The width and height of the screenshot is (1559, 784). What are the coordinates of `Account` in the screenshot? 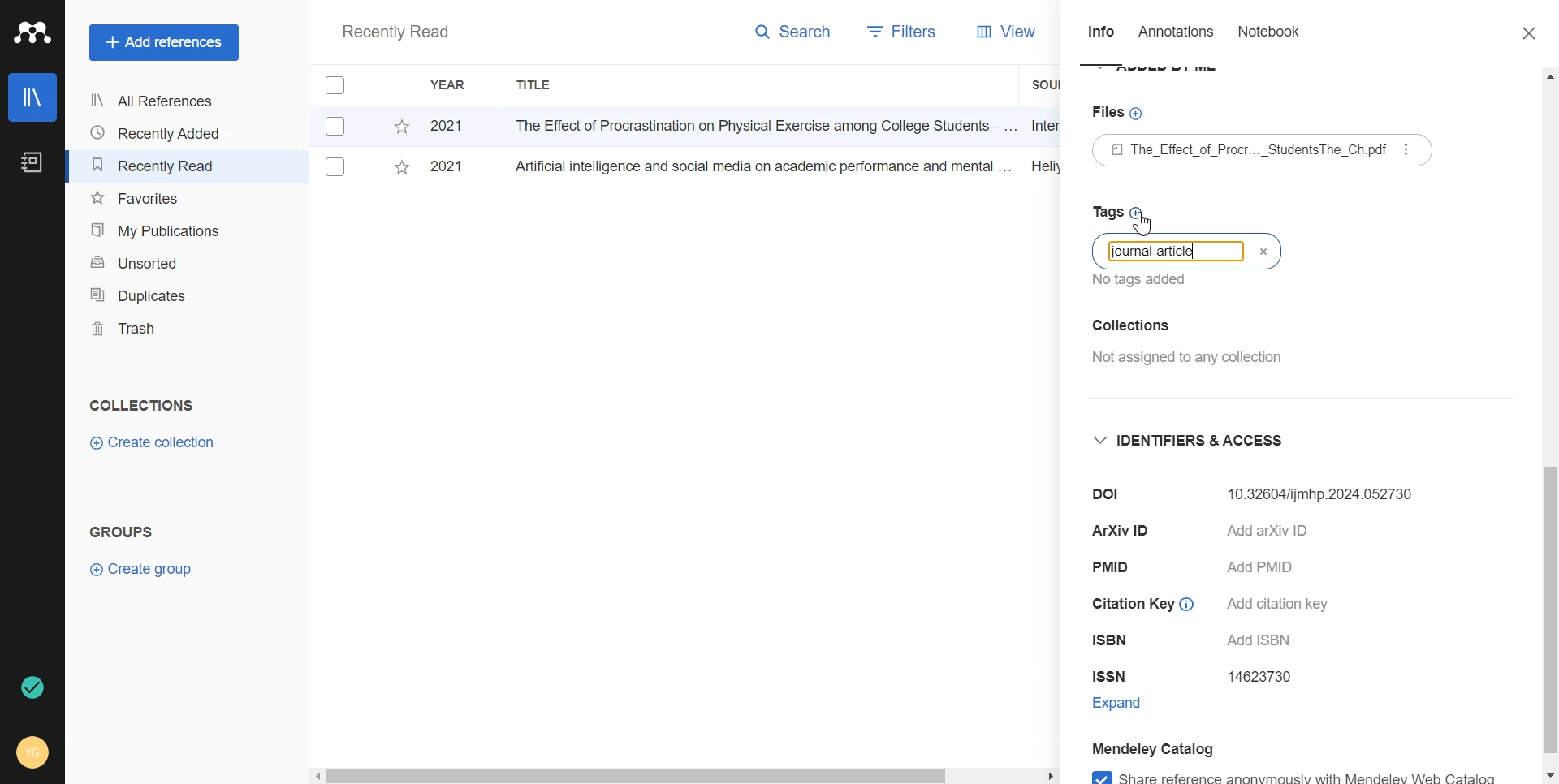 It's located at (34, 751).